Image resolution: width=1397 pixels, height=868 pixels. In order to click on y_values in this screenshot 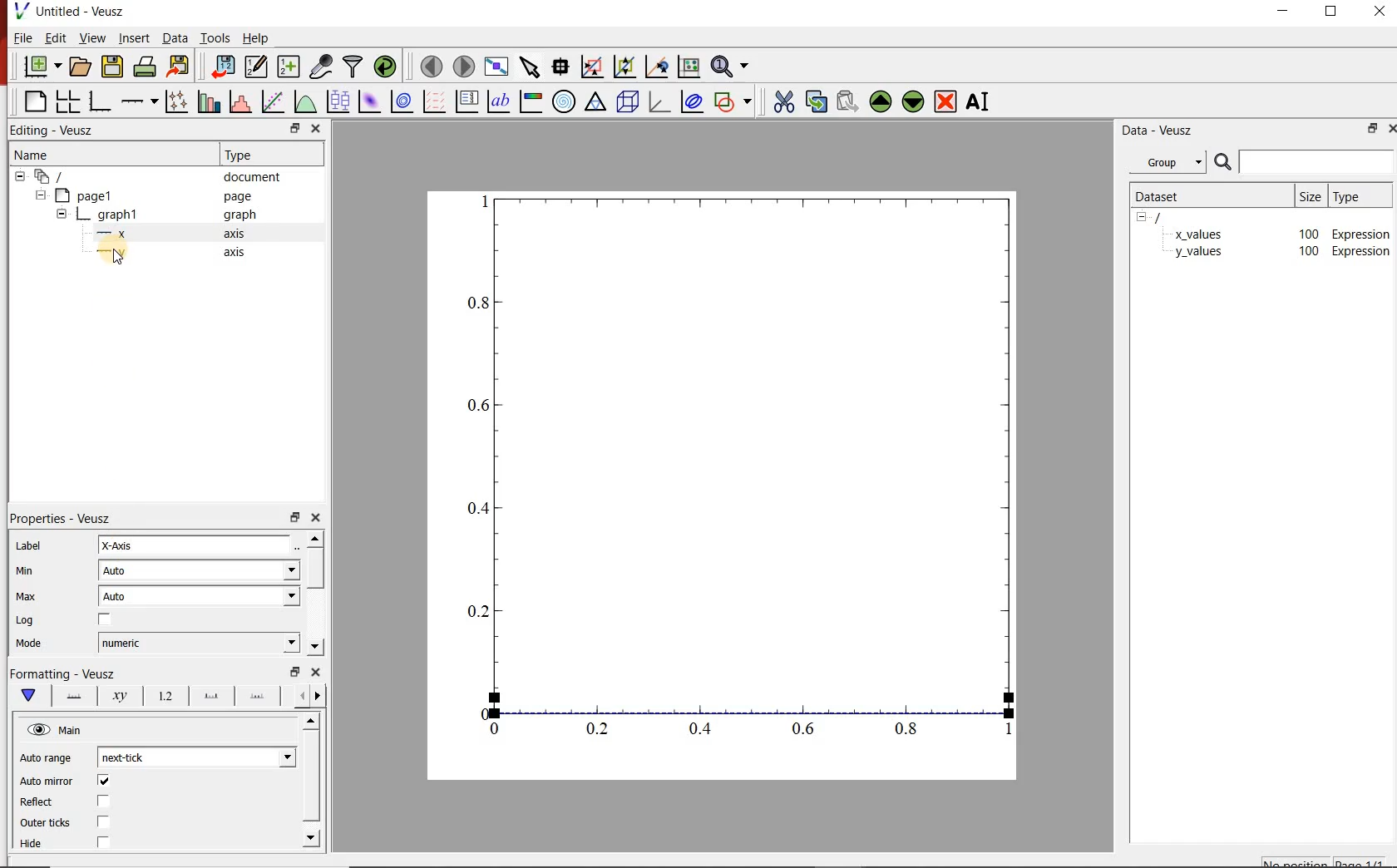, I will do `click(1198, 253)`.